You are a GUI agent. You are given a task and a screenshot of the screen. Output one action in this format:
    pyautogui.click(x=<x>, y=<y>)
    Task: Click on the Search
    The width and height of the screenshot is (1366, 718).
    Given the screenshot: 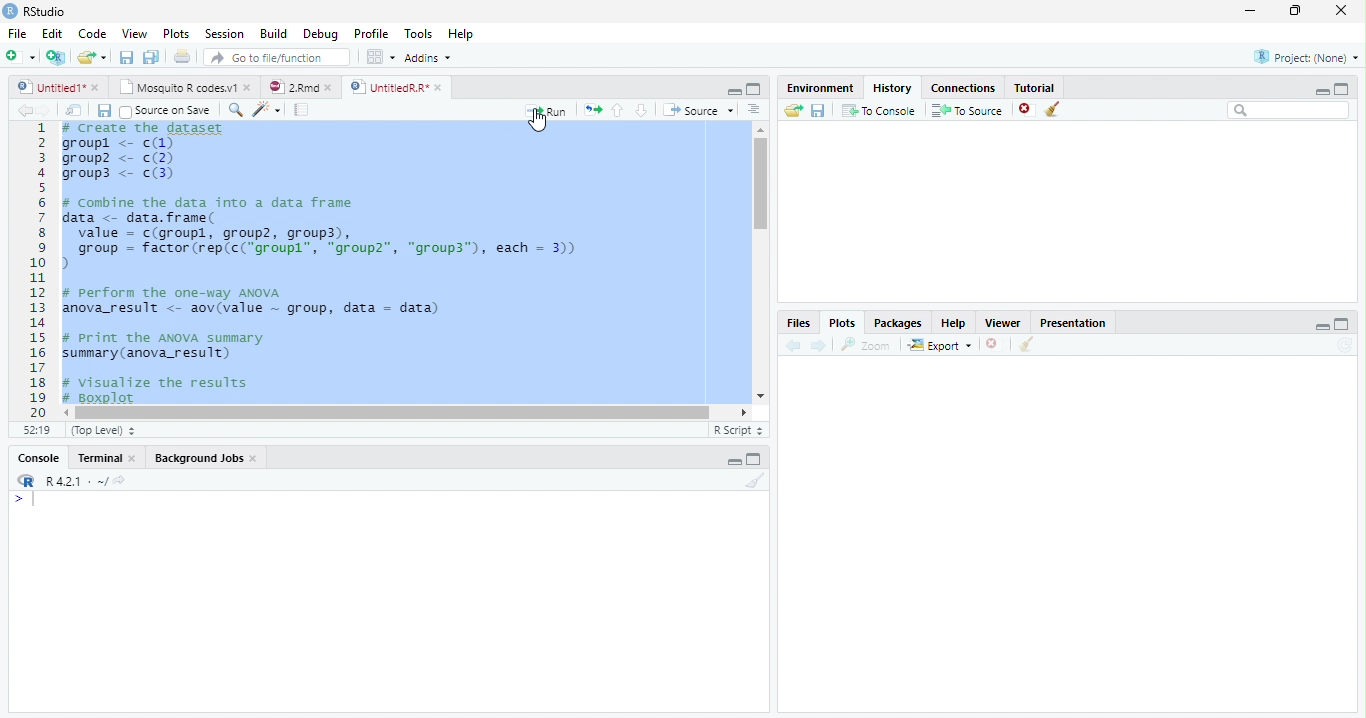 What is the action you would take?
    pyautogui.click(x=1289, y=111)
    